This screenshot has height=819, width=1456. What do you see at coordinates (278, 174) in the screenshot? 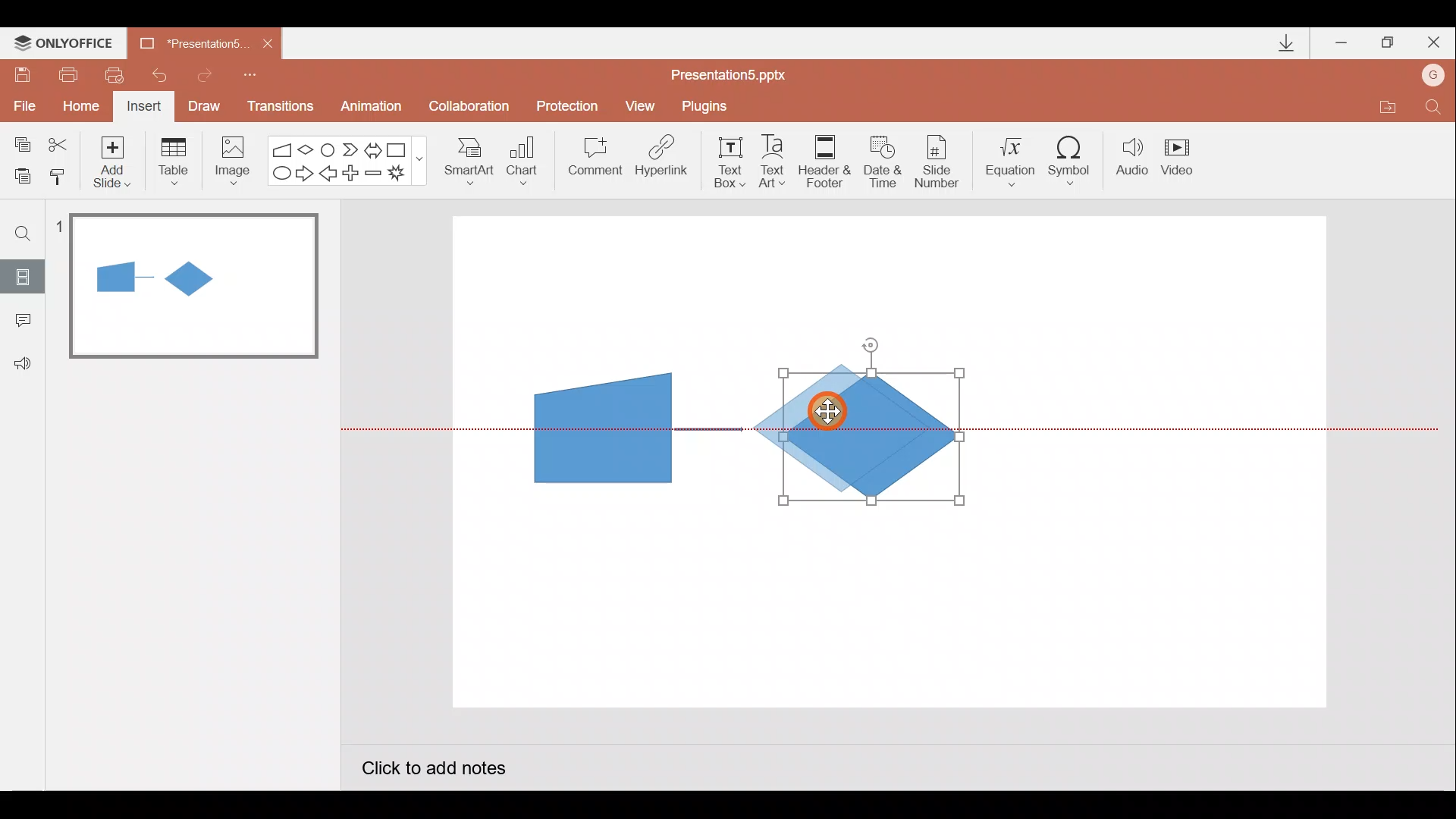
I see `Ellipse` at bounding box center [278, 174].